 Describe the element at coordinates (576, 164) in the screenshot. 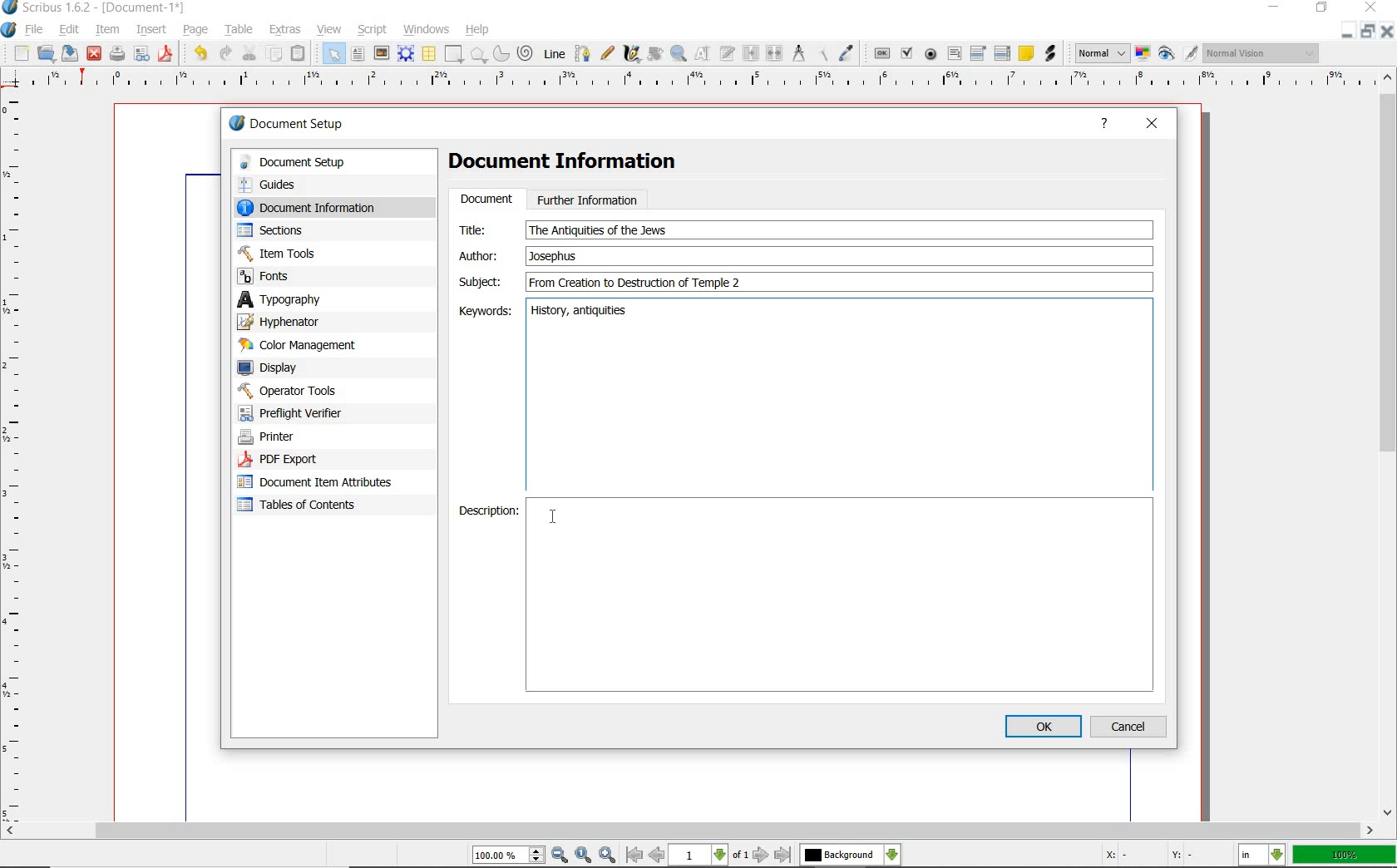

I see `Document Information` at that location.